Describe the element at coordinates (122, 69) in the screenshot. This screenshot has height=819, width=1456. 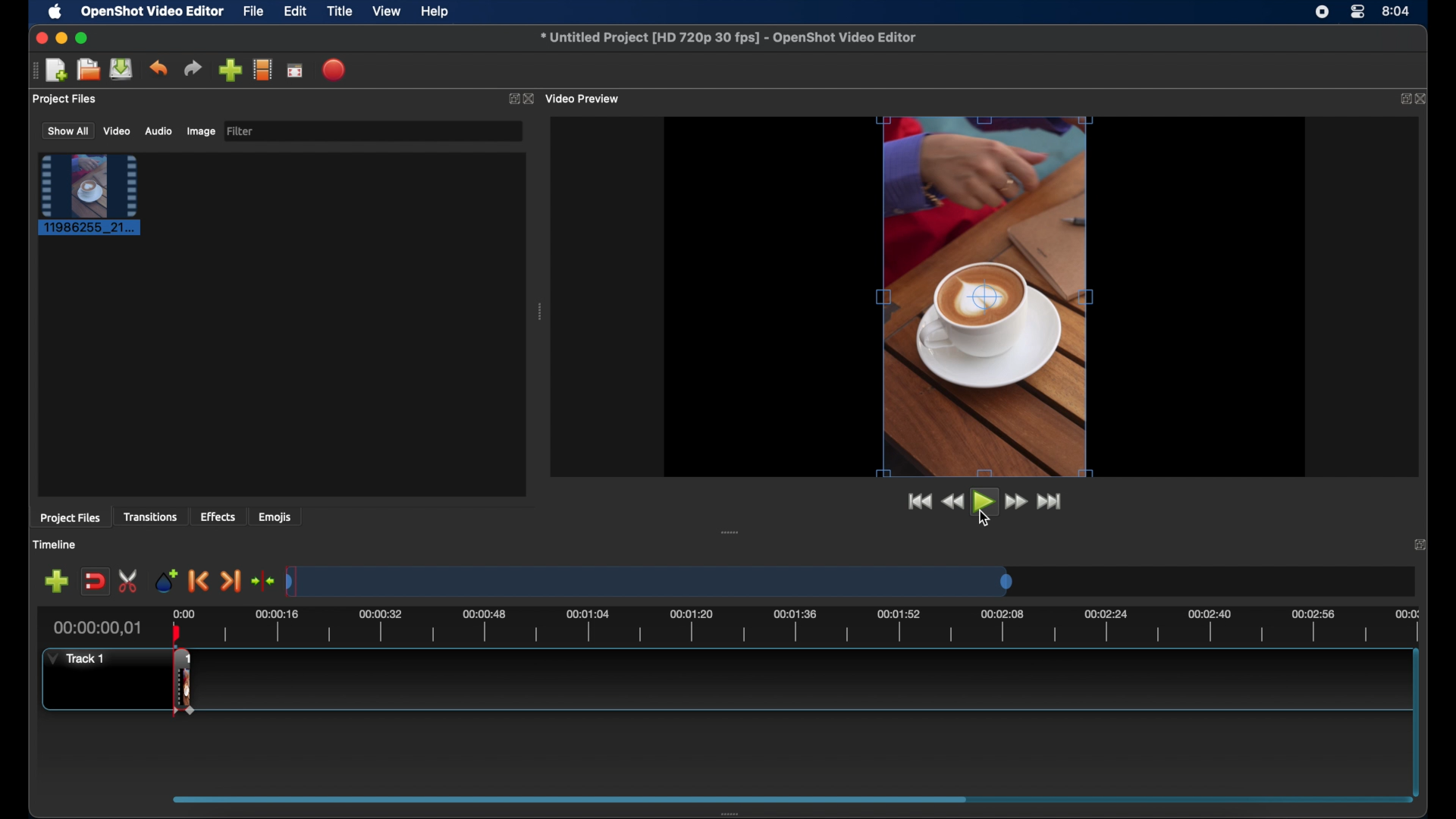
I see `save project` at that location.